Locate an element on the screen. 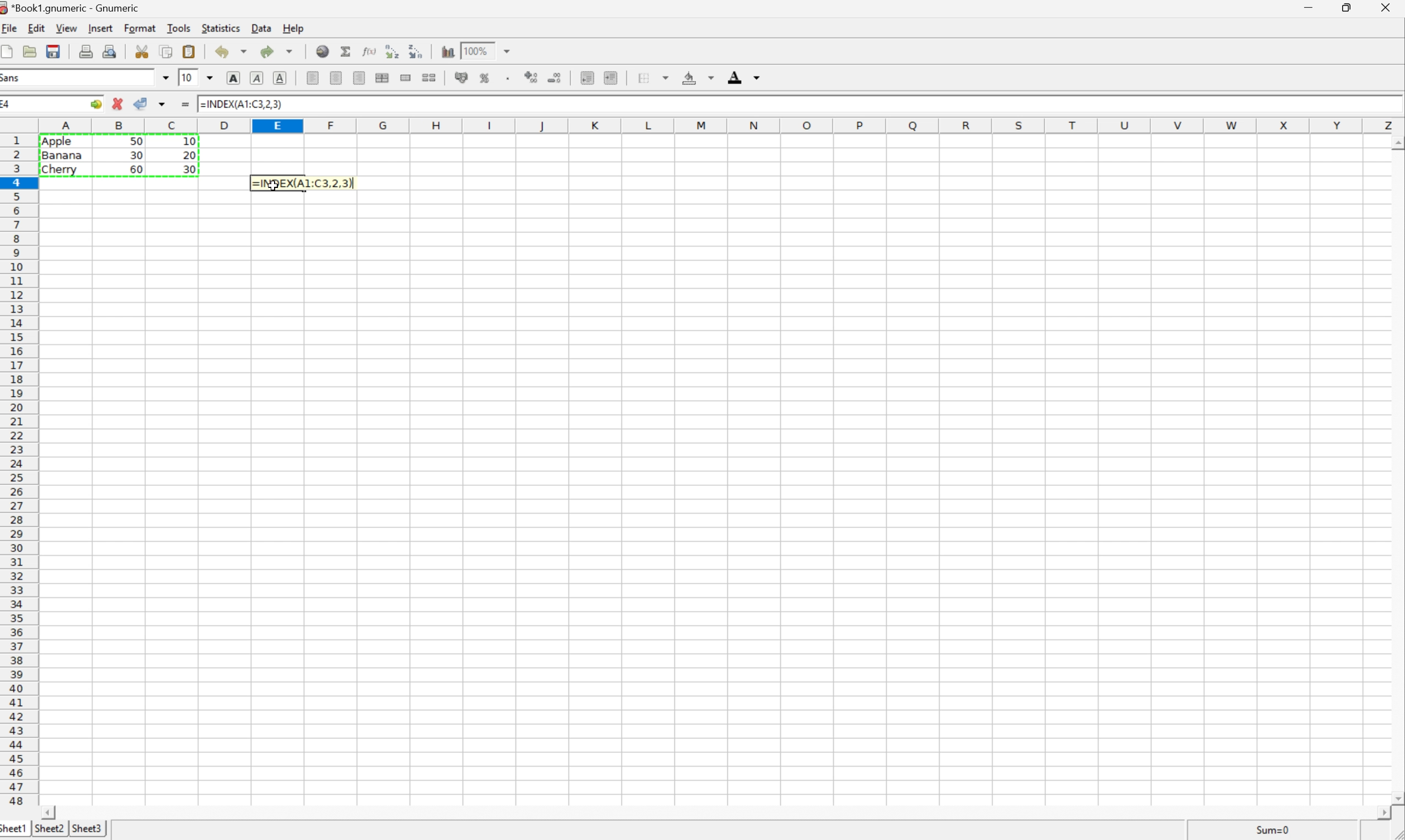  italic is located at coordinates (258, 78).